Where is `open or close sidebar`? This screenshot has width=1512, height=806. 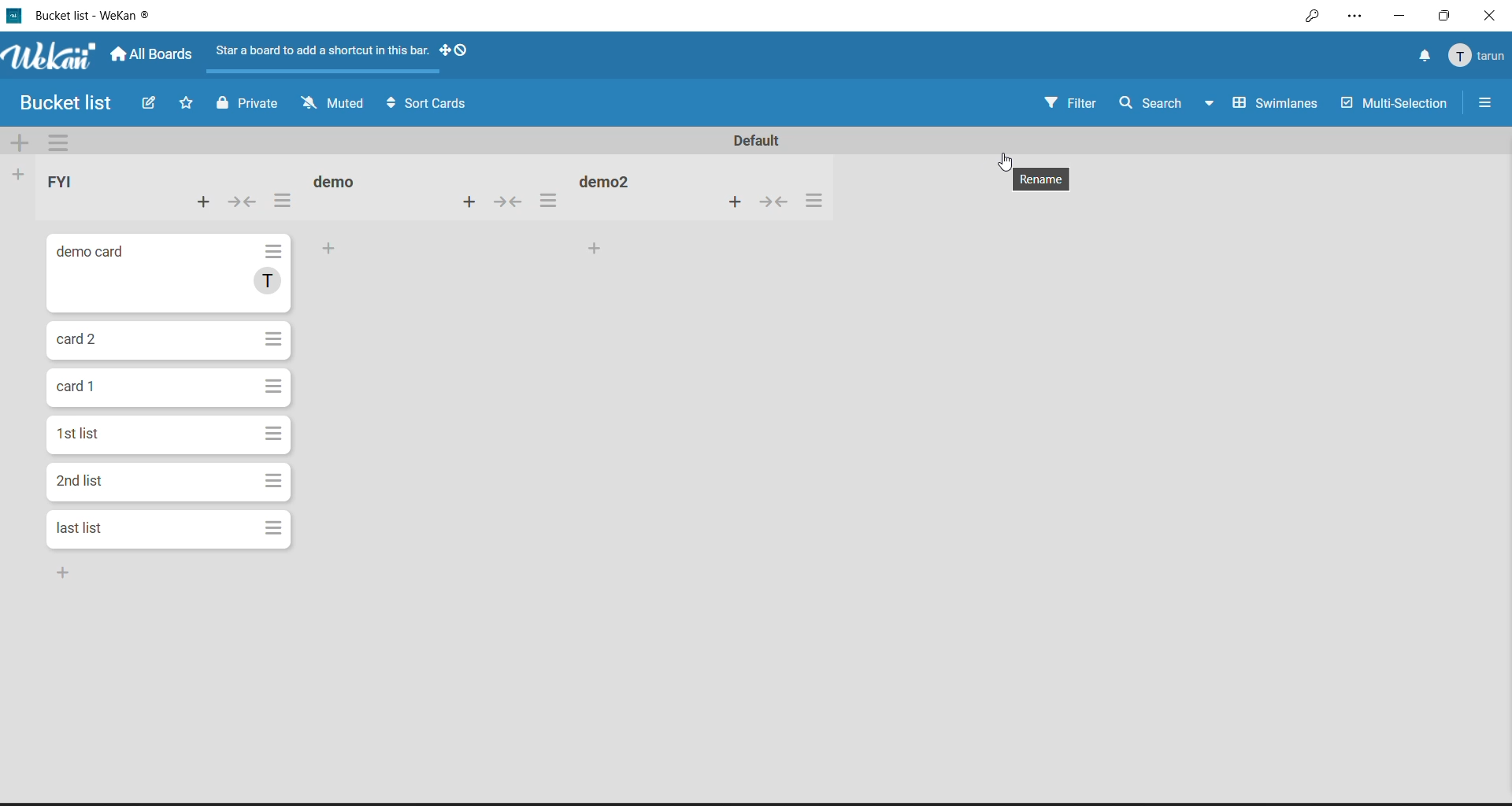
open or close sidebar is located at coordinates (1484, 102).